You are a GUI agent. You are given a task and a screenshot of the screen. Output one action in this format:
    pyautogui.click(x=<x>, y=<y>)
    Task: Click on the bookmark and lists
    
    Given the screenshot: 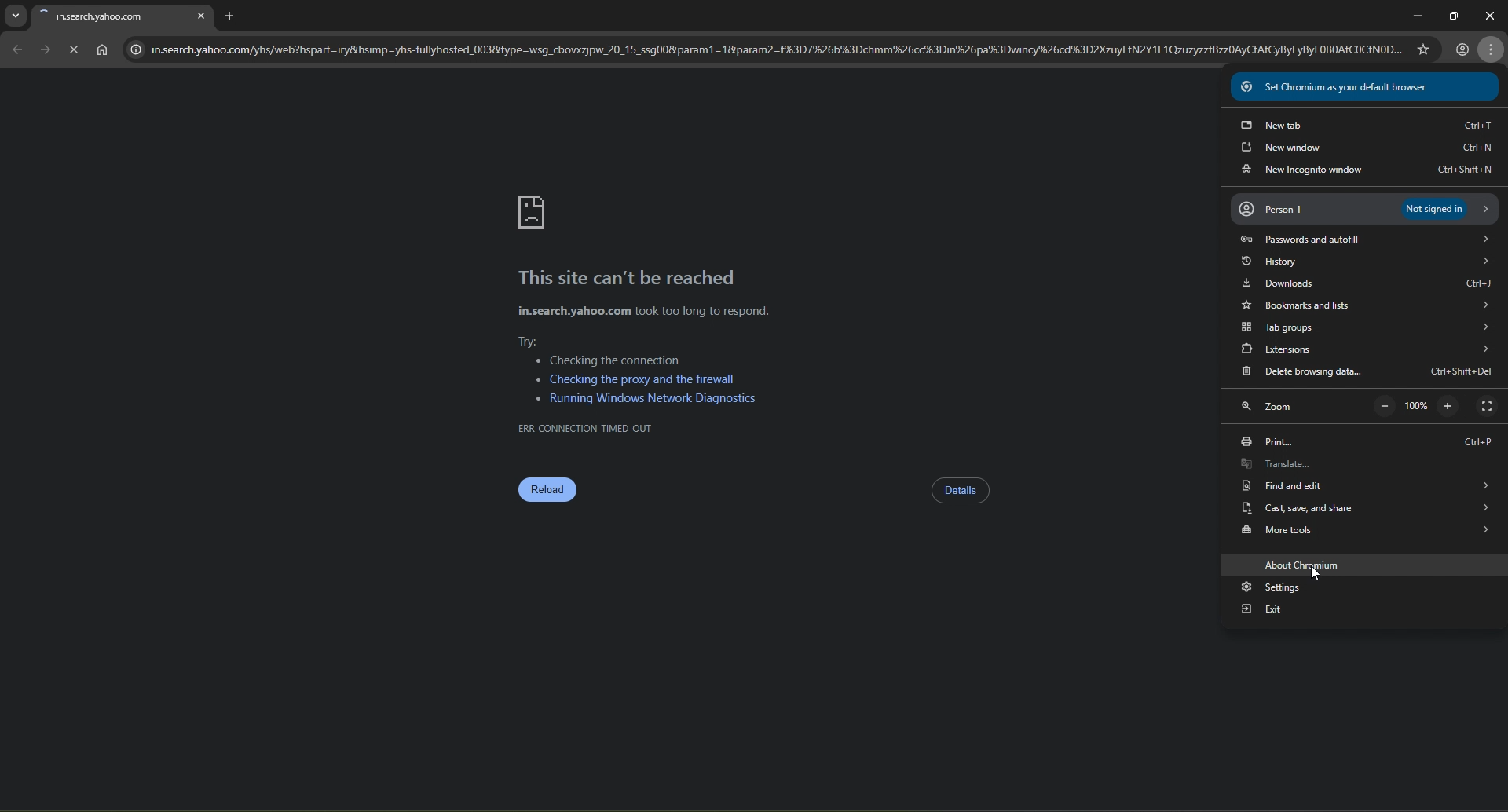 What is the action you would take?
    pyautogui.click(x=1369, y=305)
    